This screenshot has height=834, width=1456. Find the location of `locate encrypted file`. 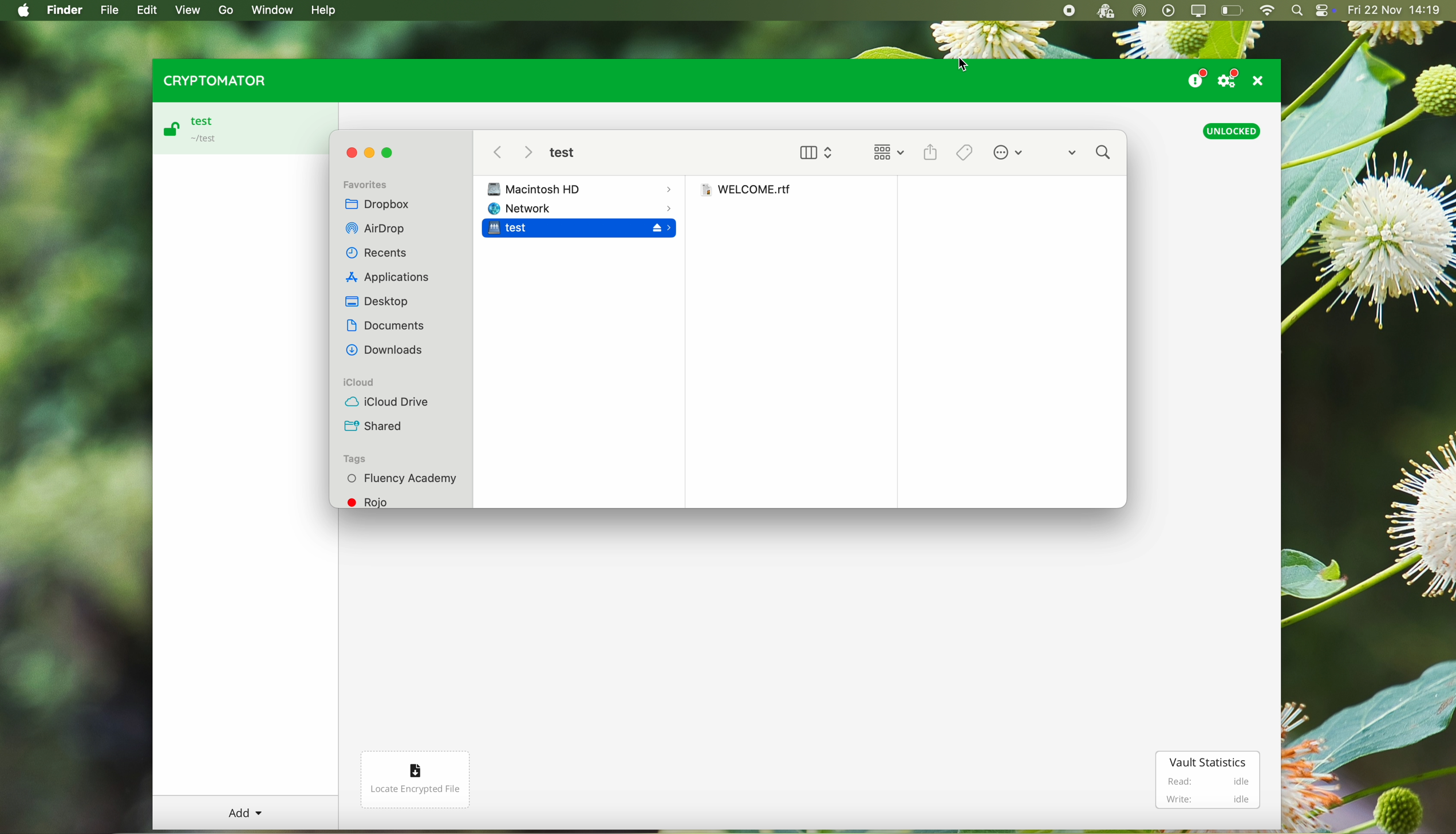

locate encrypted file is located at coordinates (417, 780).